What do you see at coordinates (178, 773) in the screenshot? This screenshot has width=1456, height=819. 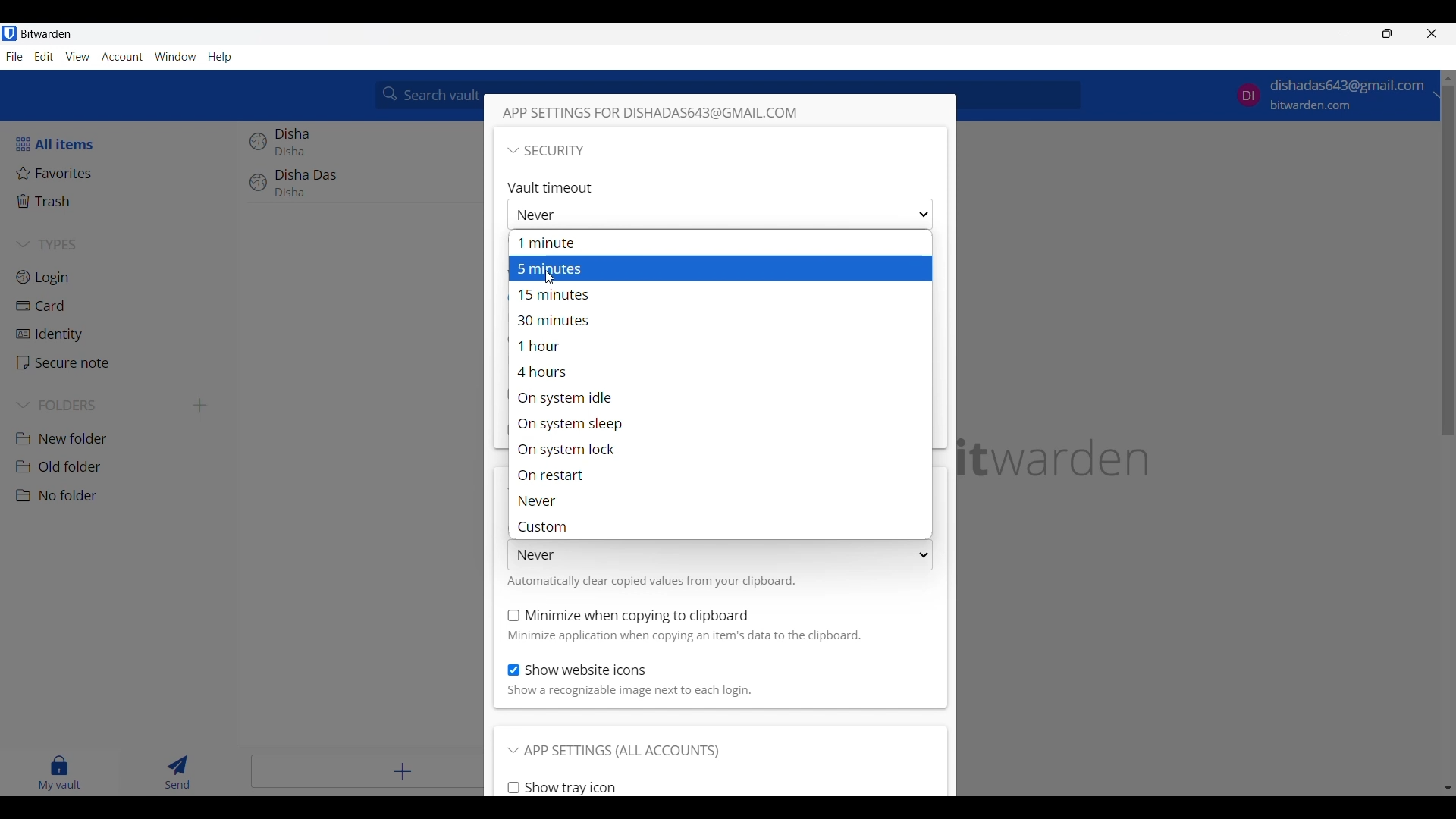 I see `Send` at bounding box center [178, 773].